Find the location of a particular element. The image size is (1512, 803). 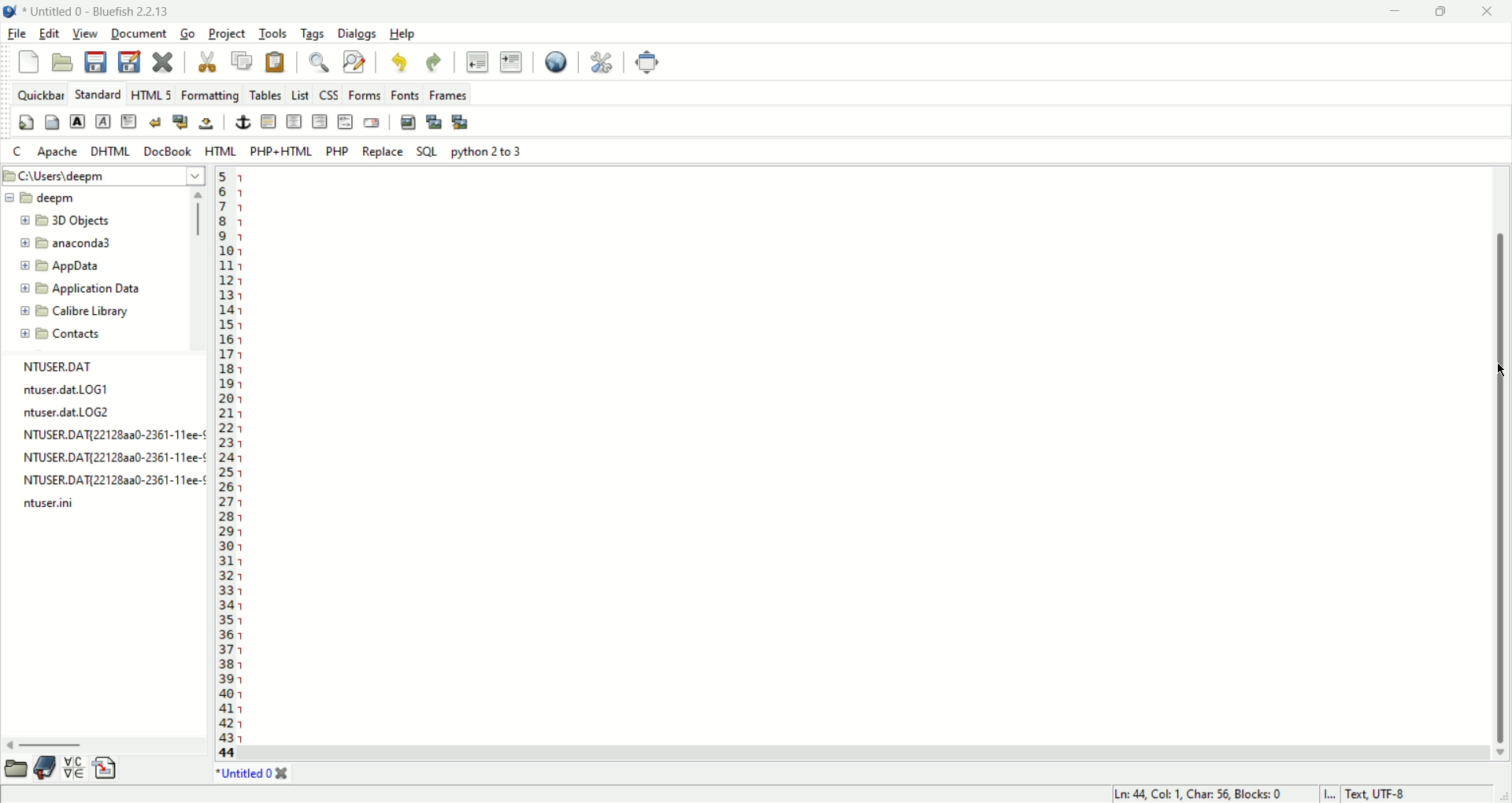

project is located at coordinates (228, 35).